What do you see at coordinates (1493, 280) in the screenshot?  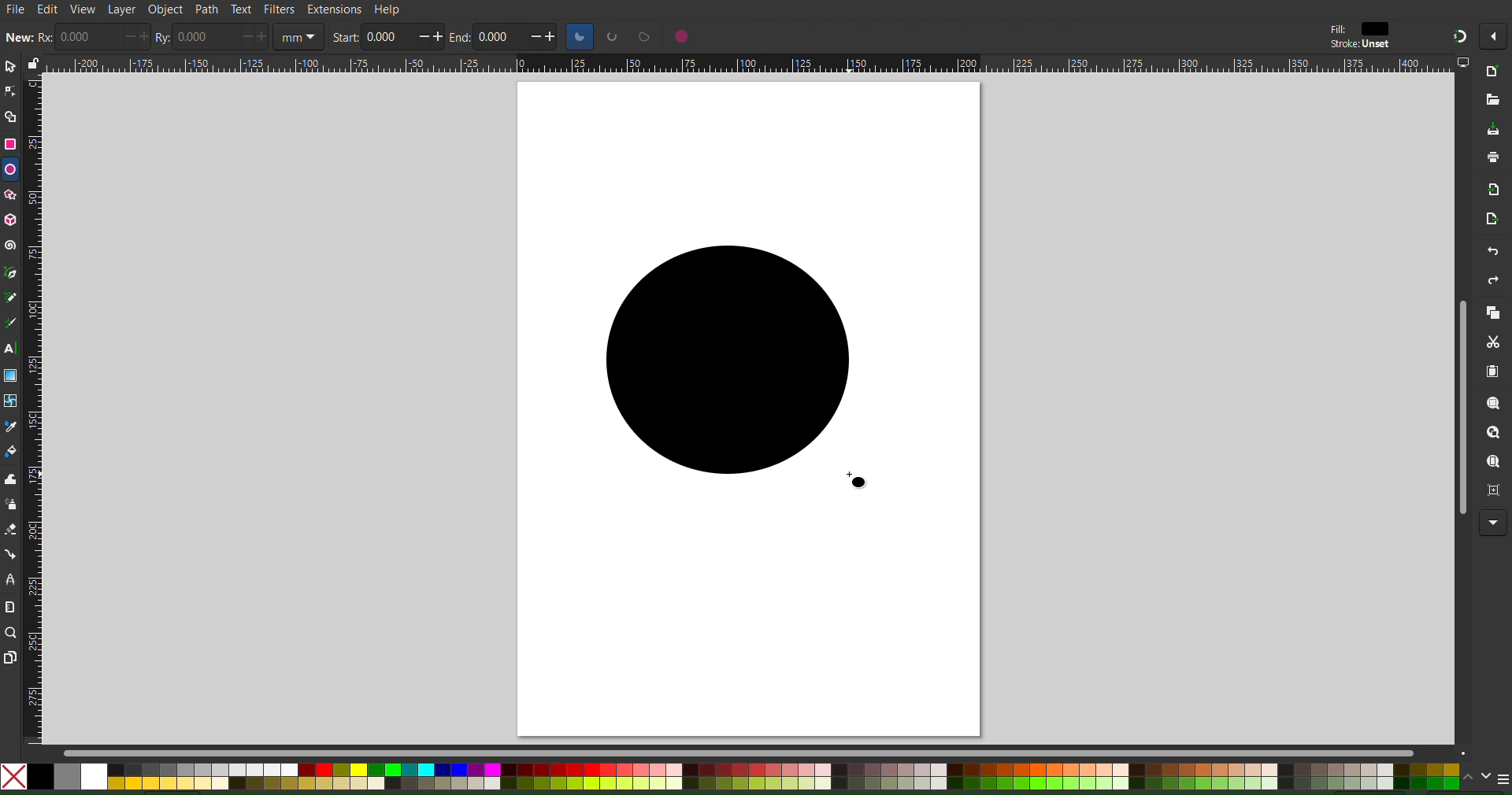 I see `Redo` at bounding box center [1493, 280].